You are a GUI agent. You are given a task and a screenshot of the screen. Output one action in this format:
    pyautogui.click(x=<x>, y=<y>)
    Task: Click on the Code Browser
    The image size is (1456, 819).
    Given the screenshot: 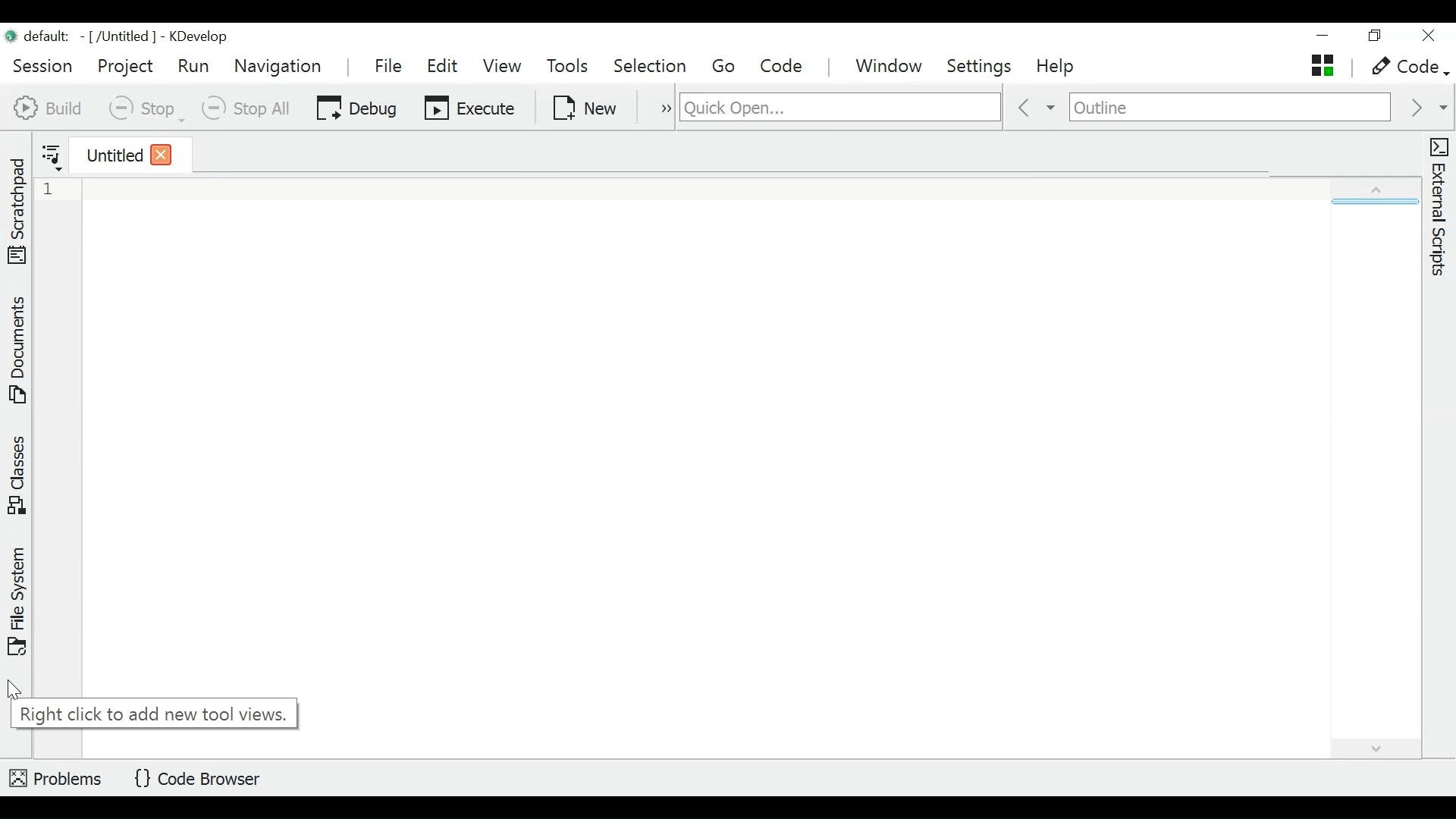 What is the action you would take?
    pyautogui.click(x=197, y=777)
    